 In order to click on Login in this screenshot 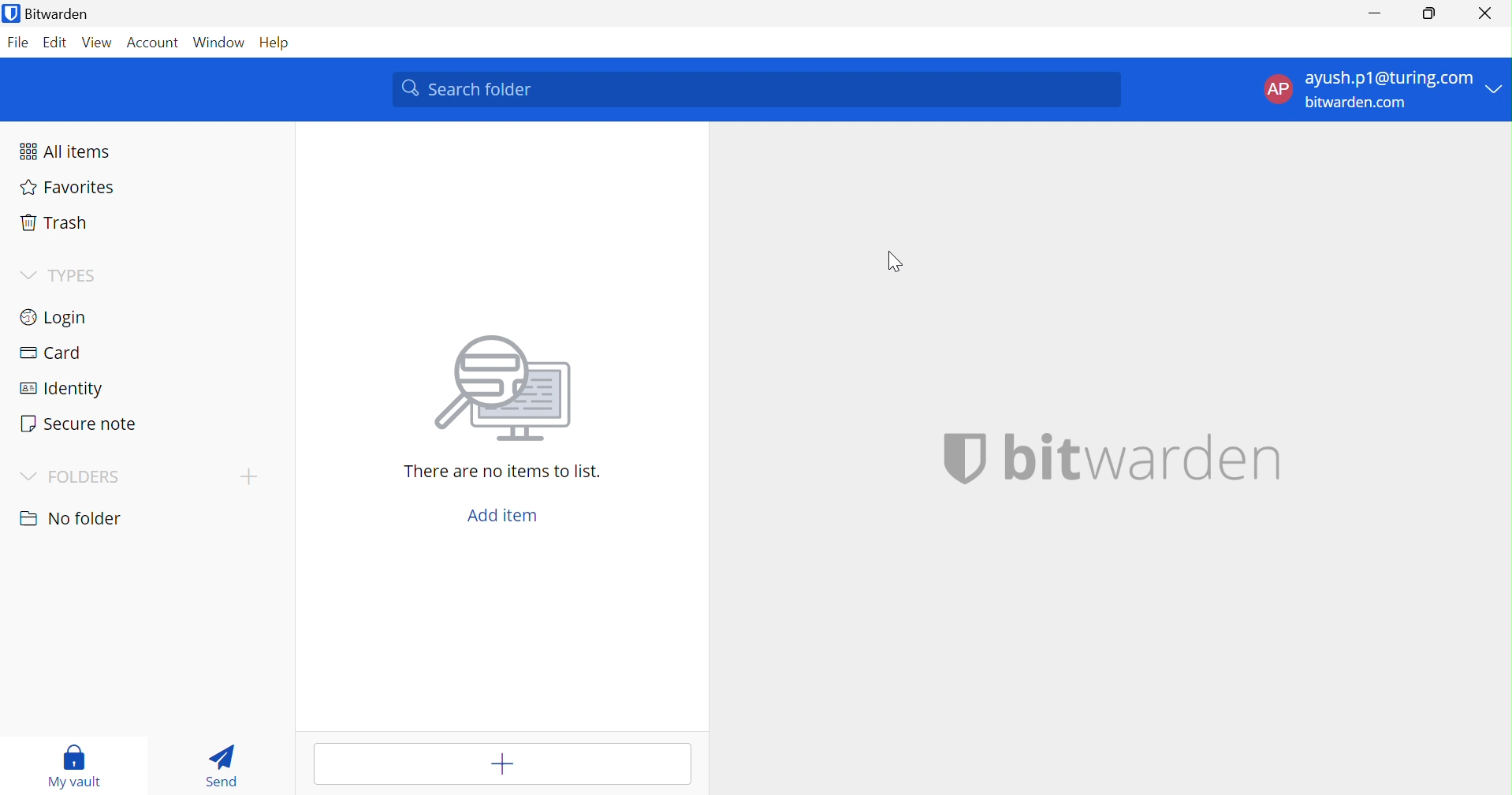, I will do `click(54, 315)`.